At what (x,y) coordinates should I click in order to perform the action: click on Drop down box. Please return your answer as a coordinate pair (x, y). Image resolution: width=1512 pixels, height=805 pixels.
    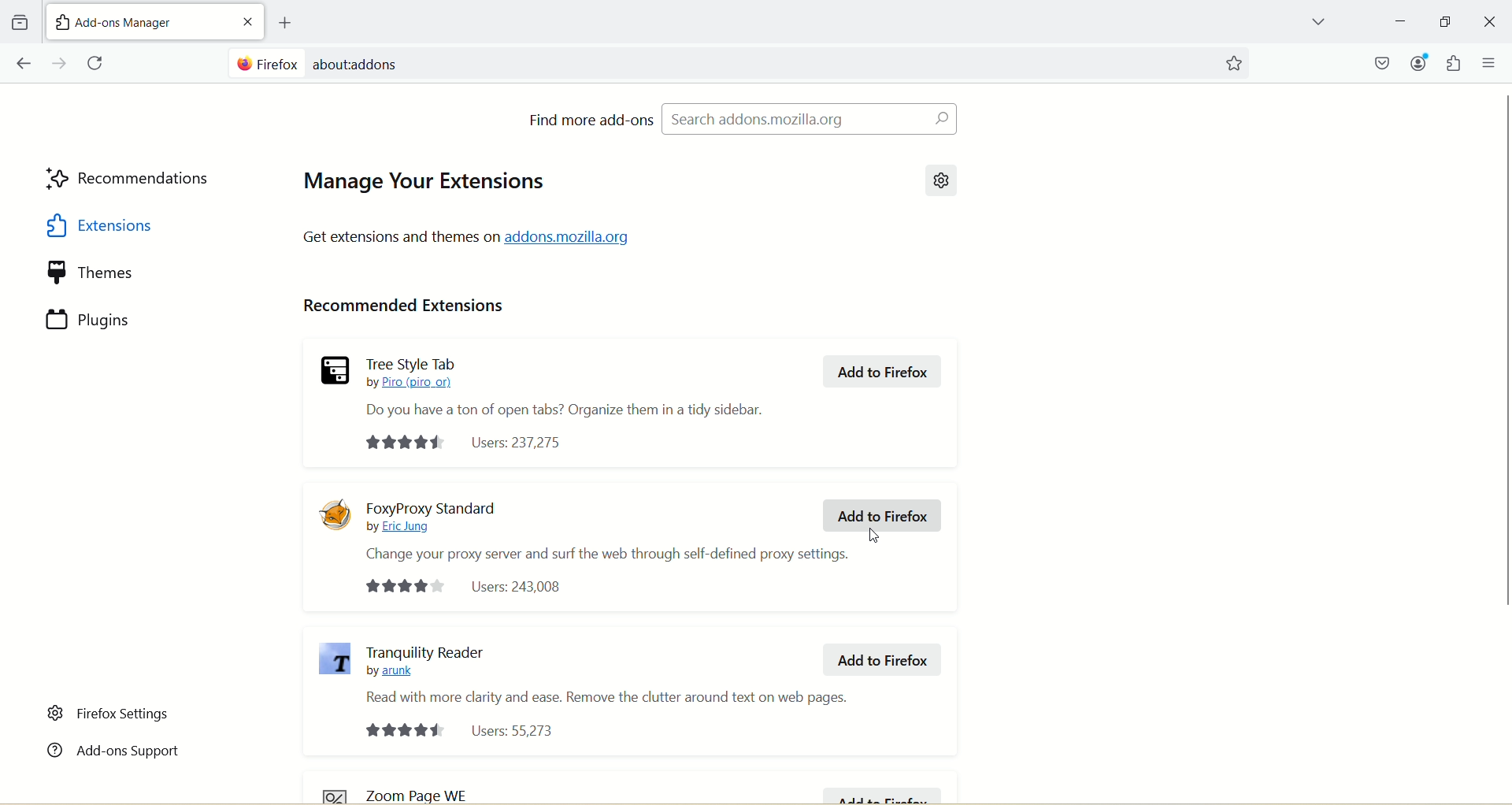
    Looking at the image, I should click on (1317, 24).